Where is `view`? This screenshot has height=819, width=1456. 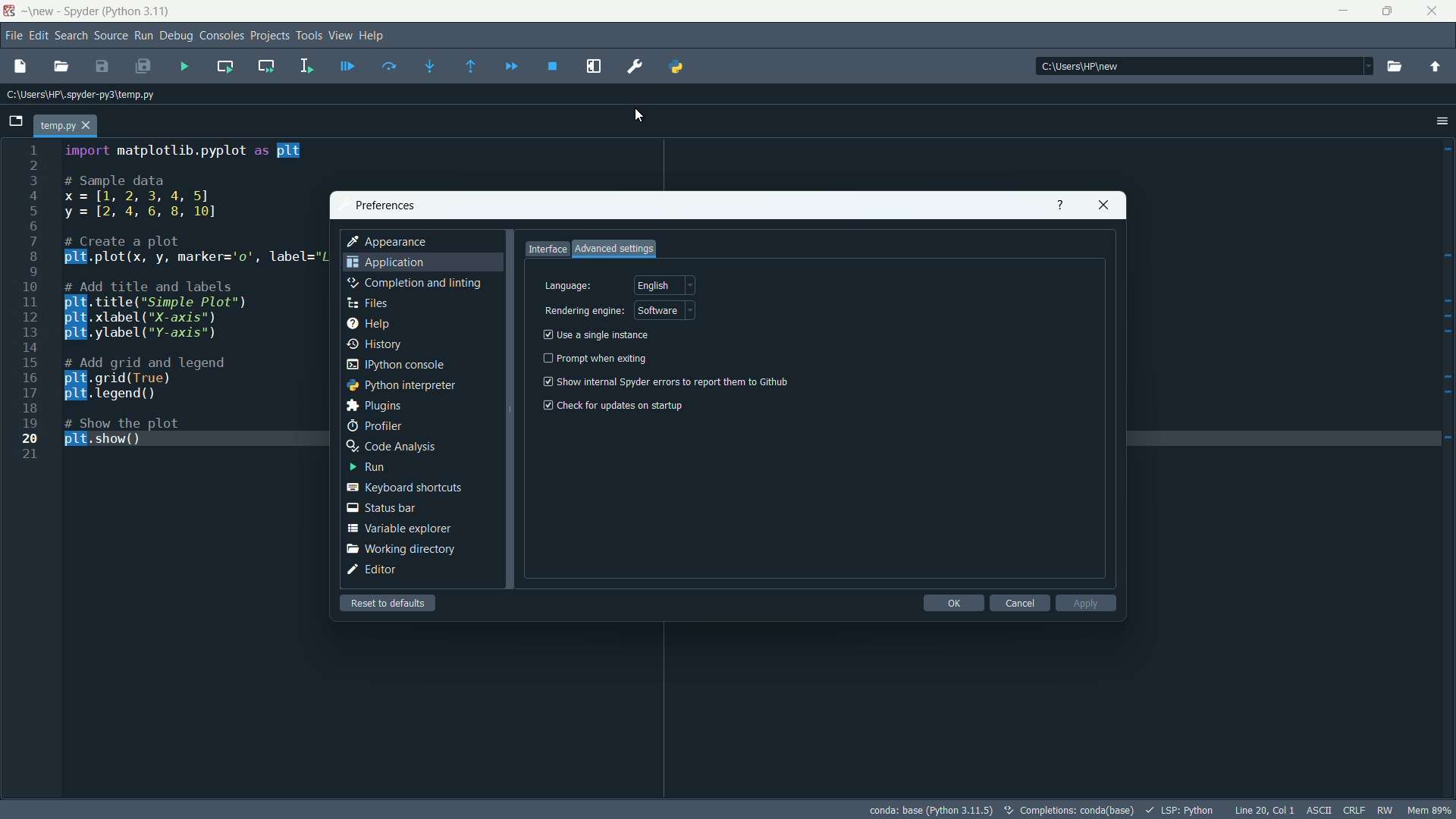 view is located at coordinates (340, 36).